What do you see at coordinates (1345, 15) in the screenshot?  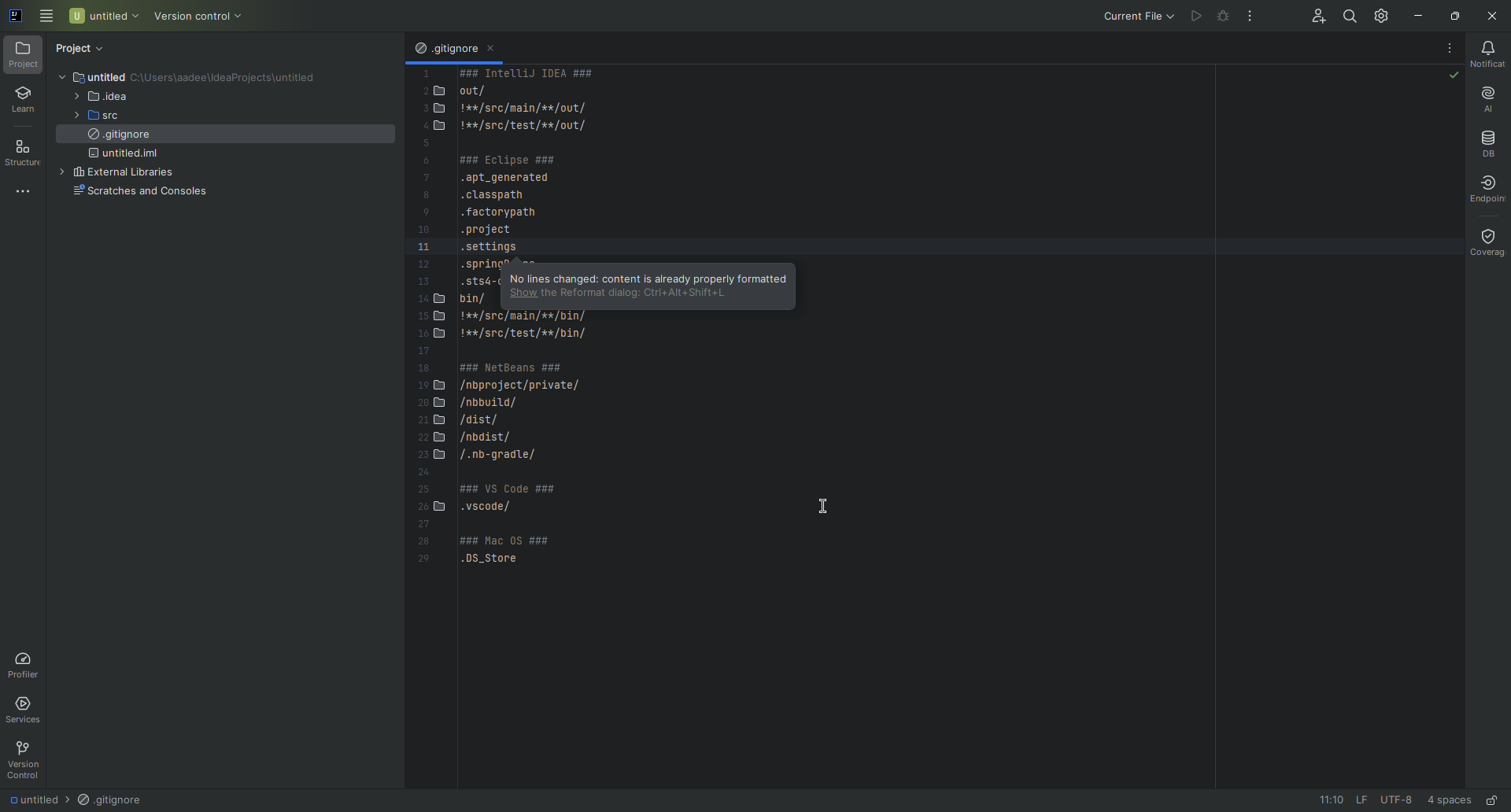 I see `Search` at bounding box center [1345, 15].